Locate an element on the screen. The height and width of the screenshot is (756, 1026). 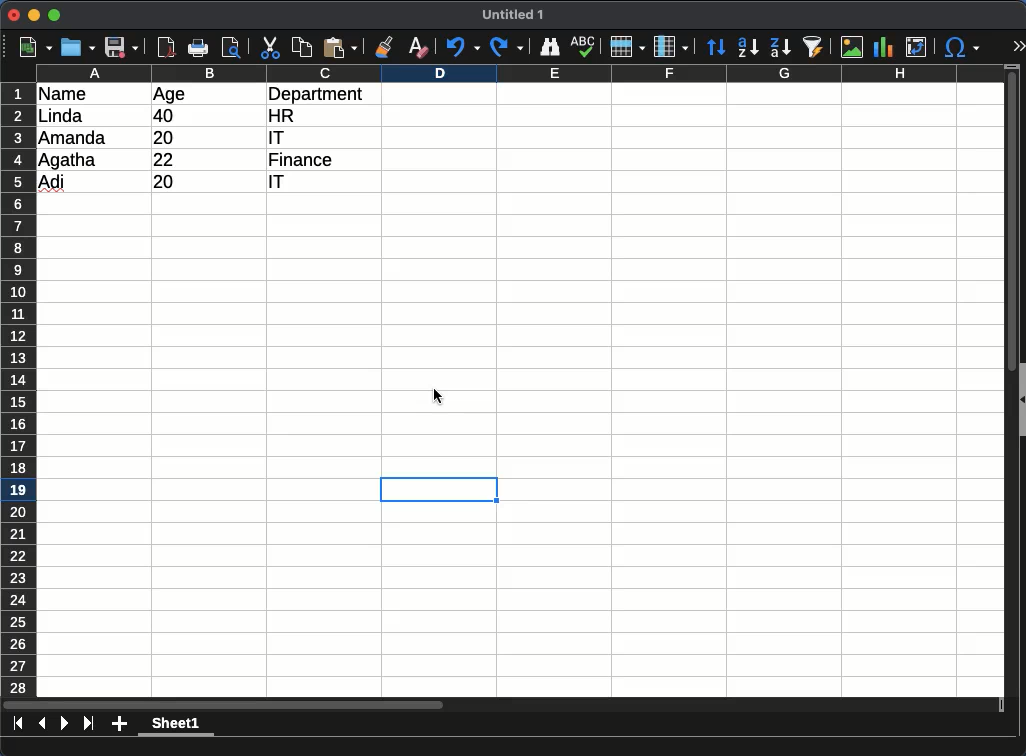
22 is located at coordinates (168, 159).